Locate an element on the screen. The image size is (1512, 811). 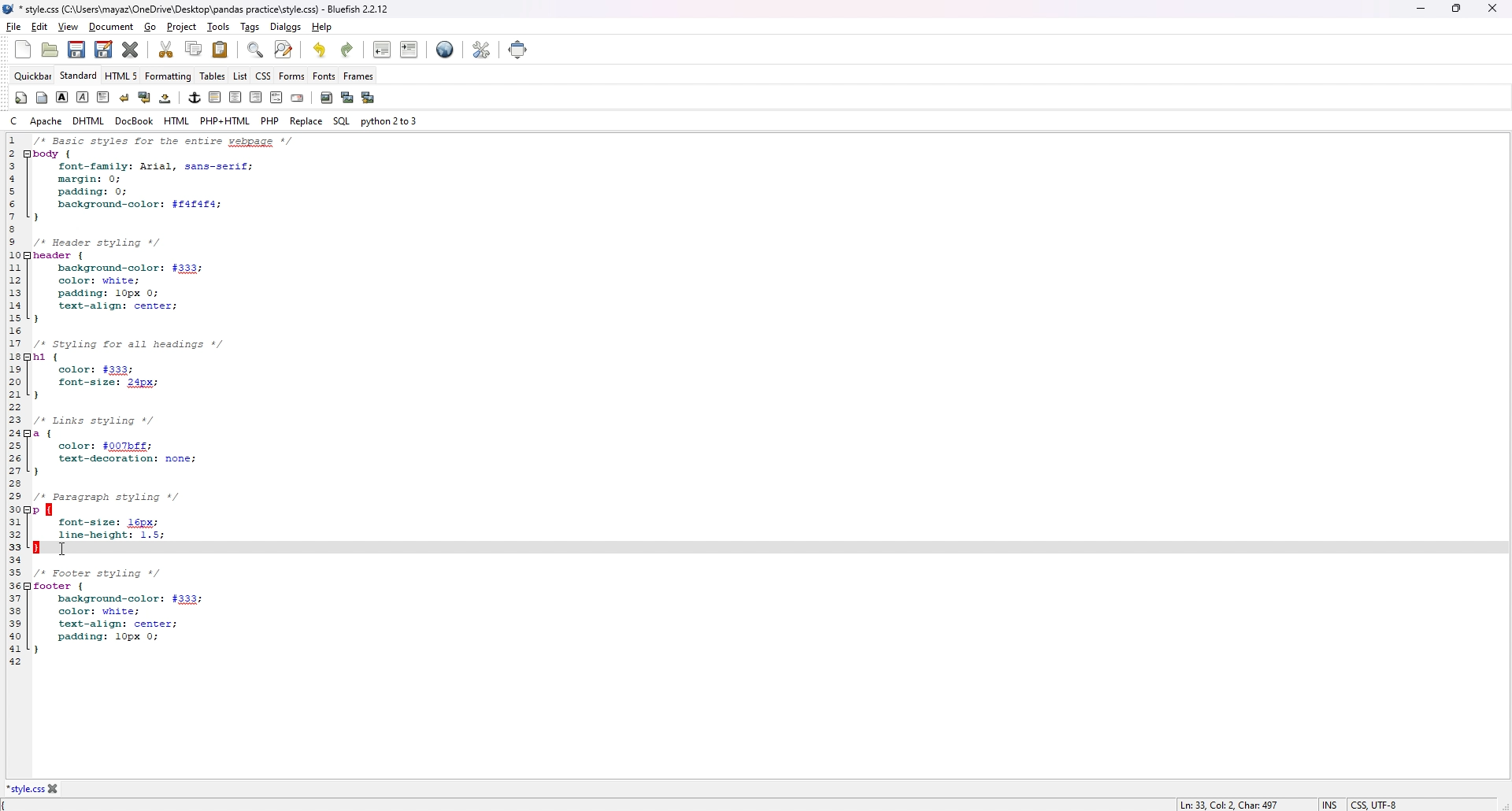
anchor is located at coordinates (195, 97).